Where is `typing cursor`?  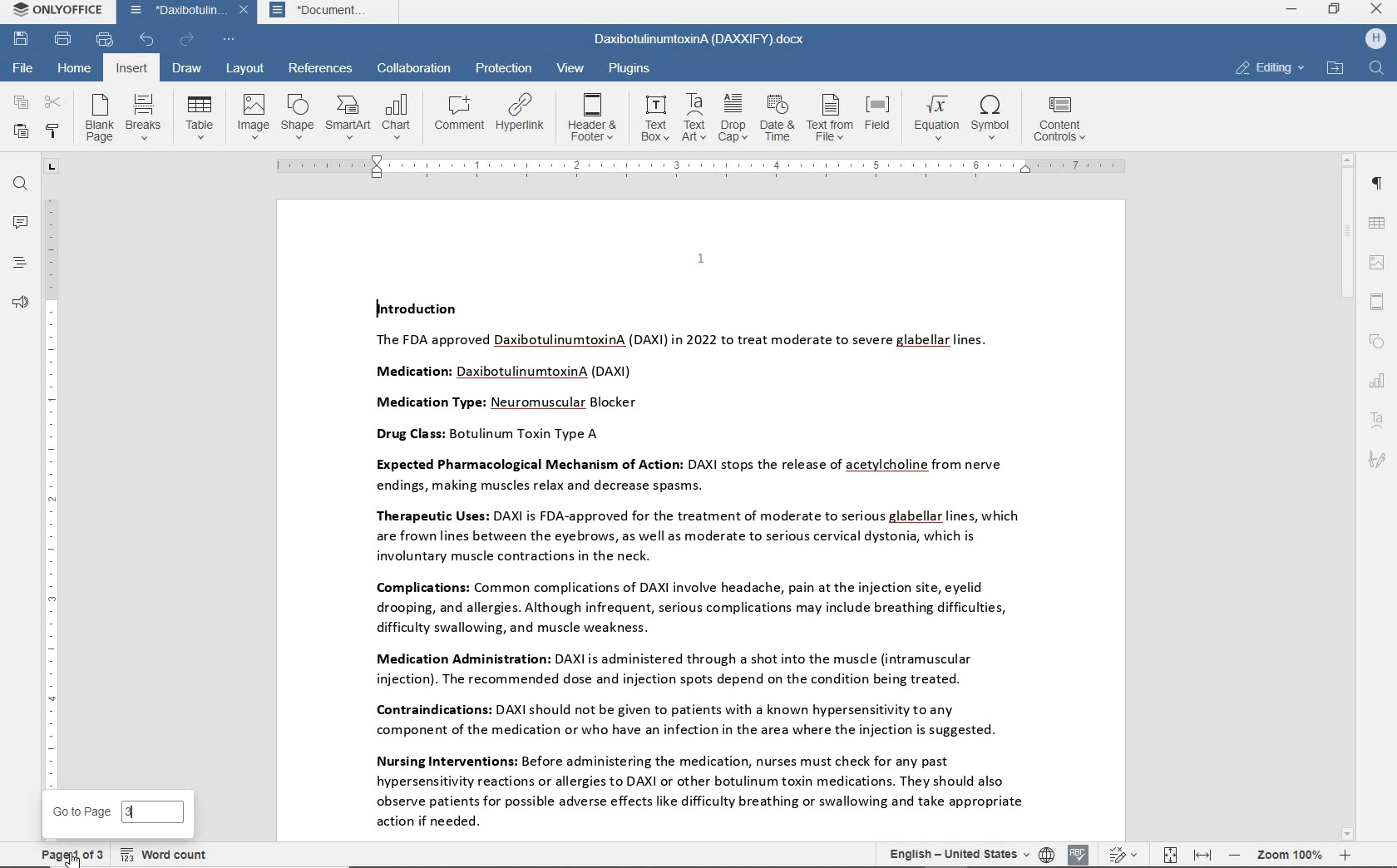
typing cursor is located at coordinates (376, 308).